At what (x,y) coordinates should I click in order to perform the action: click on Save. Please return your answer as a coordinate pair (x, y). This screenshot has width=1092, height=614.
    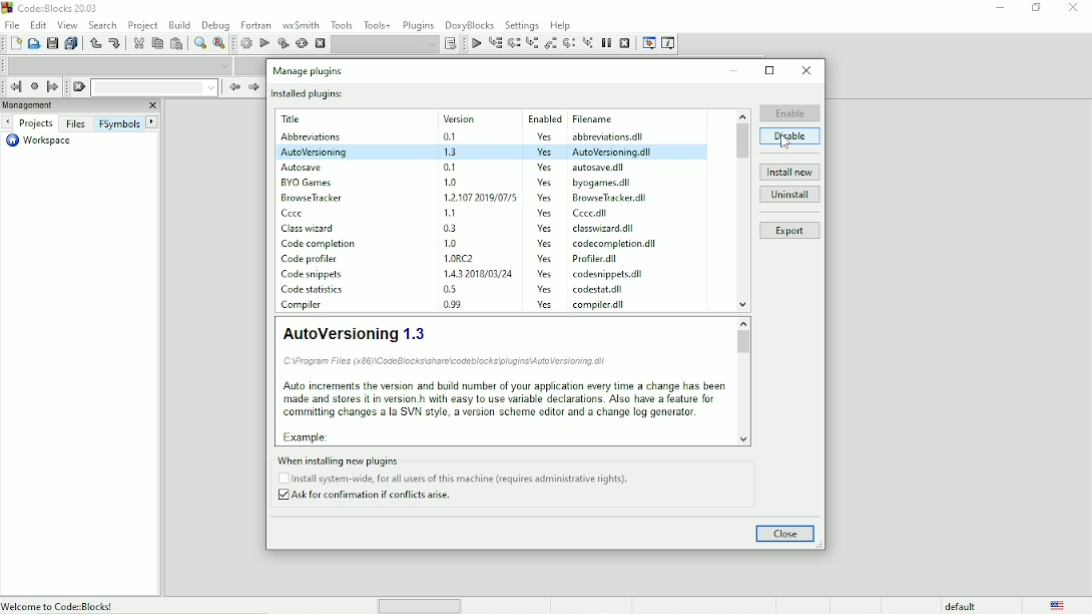
    Looking at the image, I should click on (51, 44).